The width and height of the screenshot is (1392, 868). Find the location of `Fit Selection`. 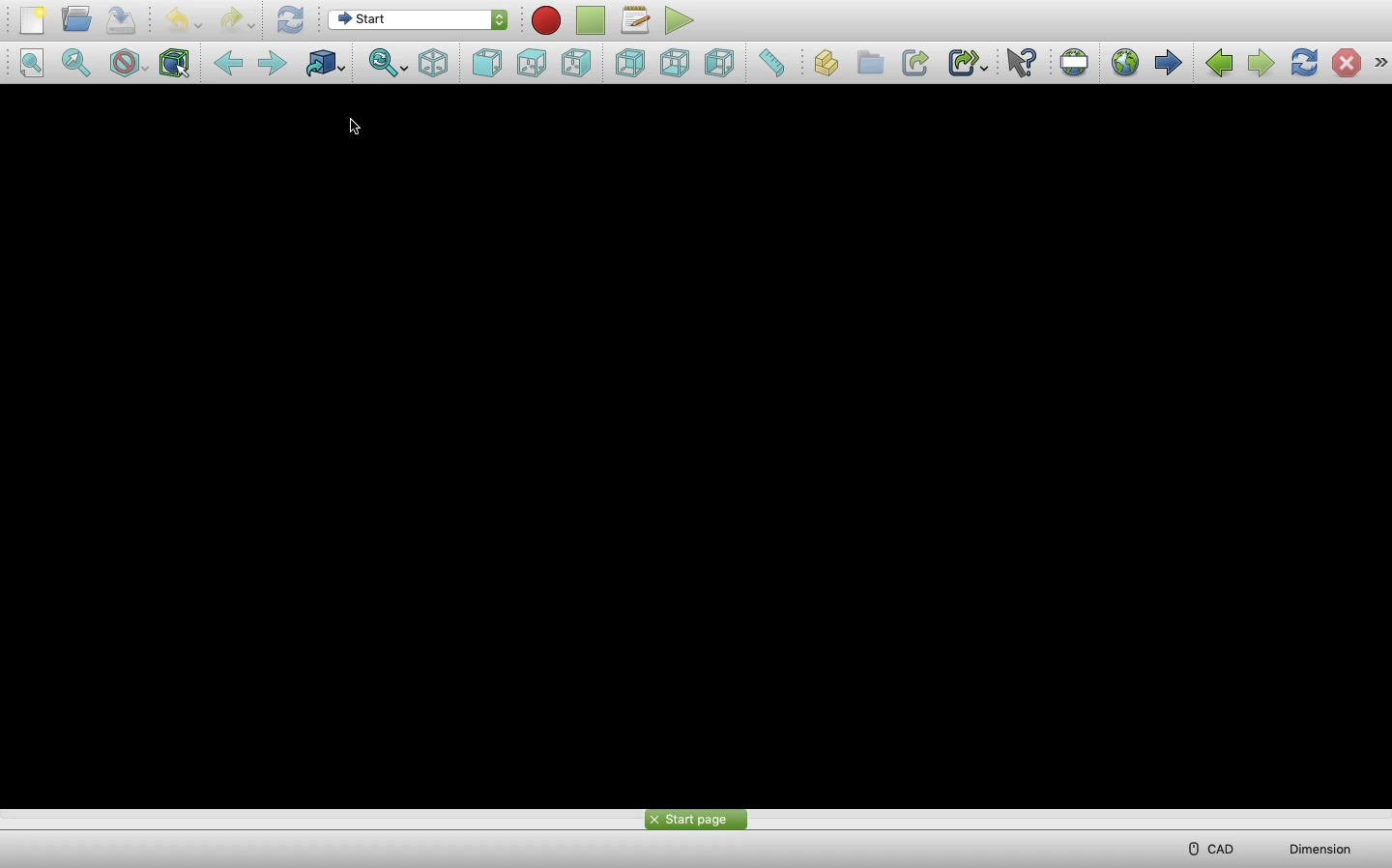

Fit Selection is located at coordinates (388, 64).